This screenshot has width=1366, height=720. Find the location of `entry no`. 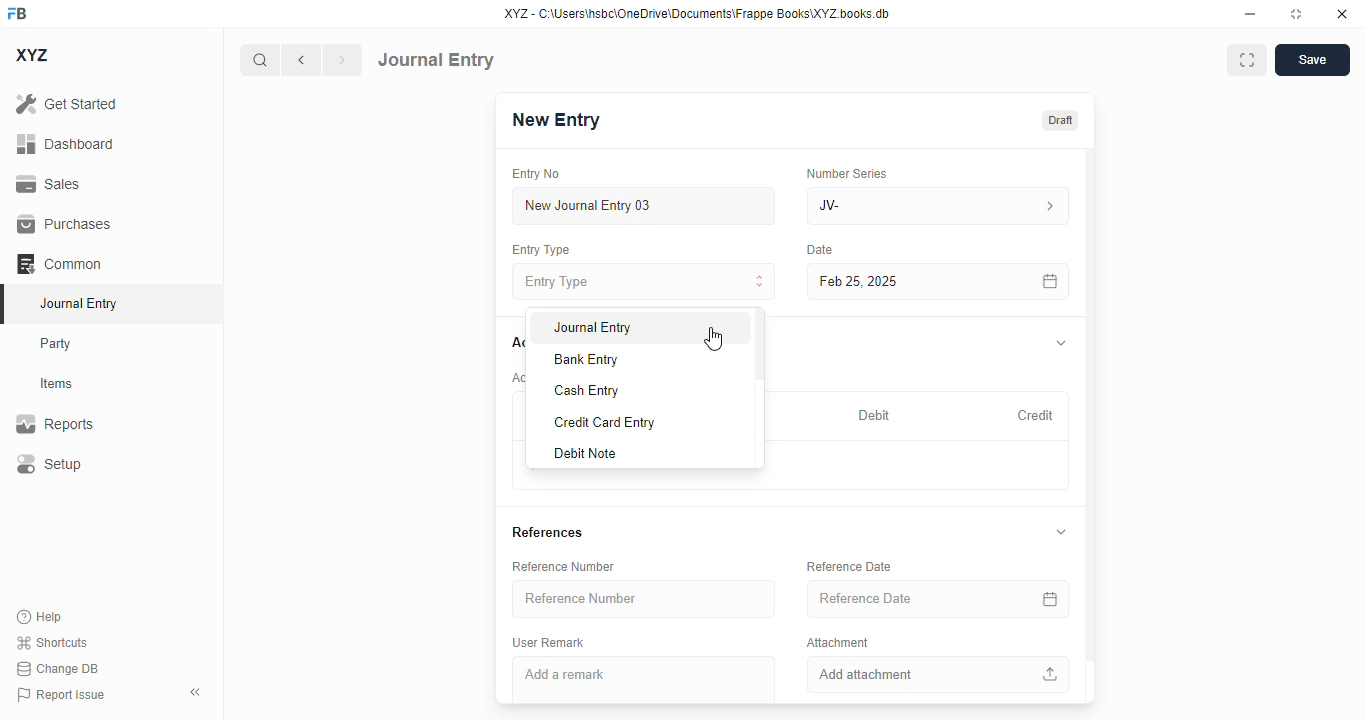

entry no is located at coordinates (536, 174).